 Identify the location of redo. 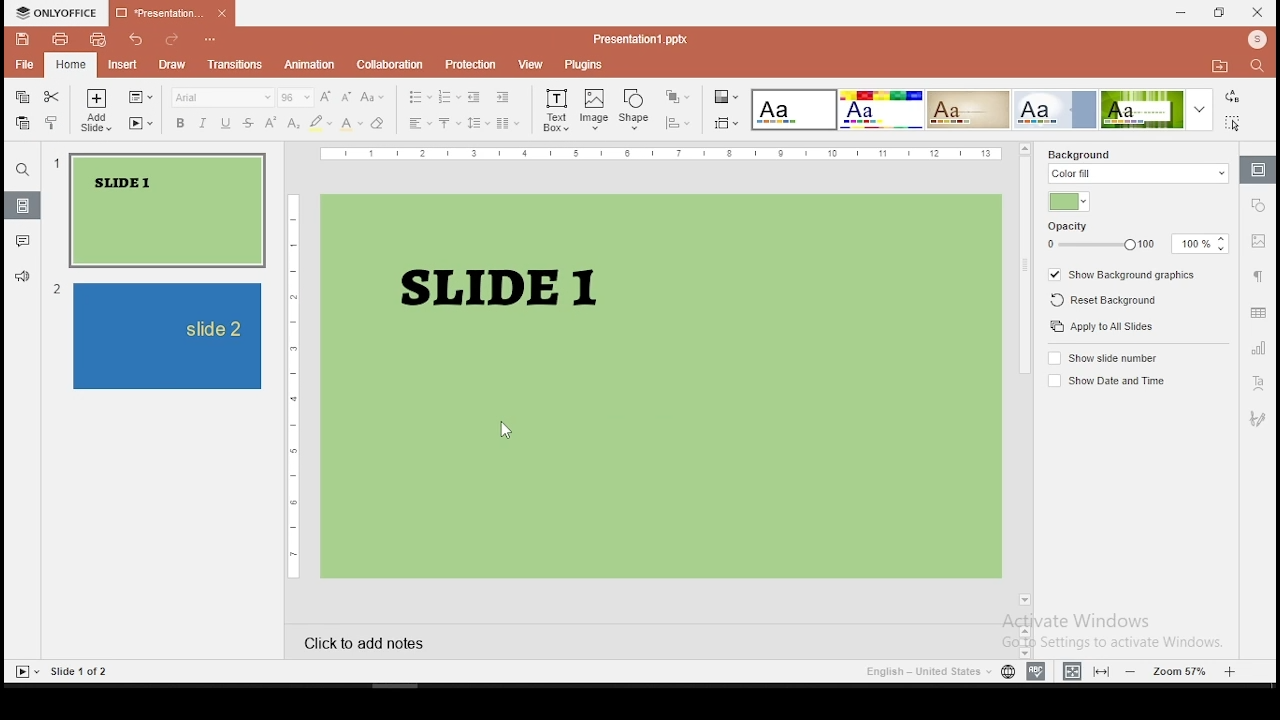
(168, 40).